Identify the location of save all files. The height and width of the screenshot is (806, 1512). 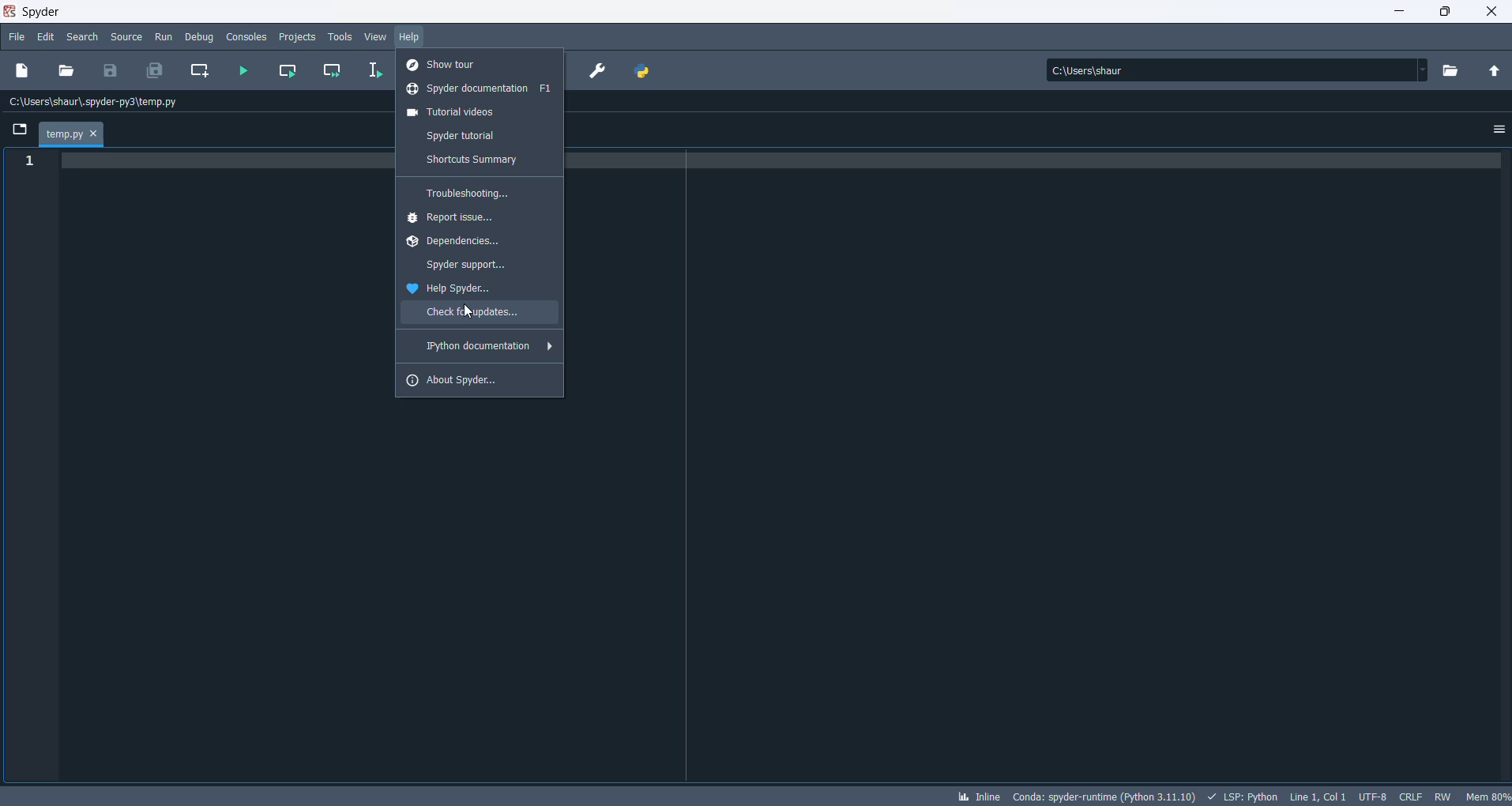
(156, 71).